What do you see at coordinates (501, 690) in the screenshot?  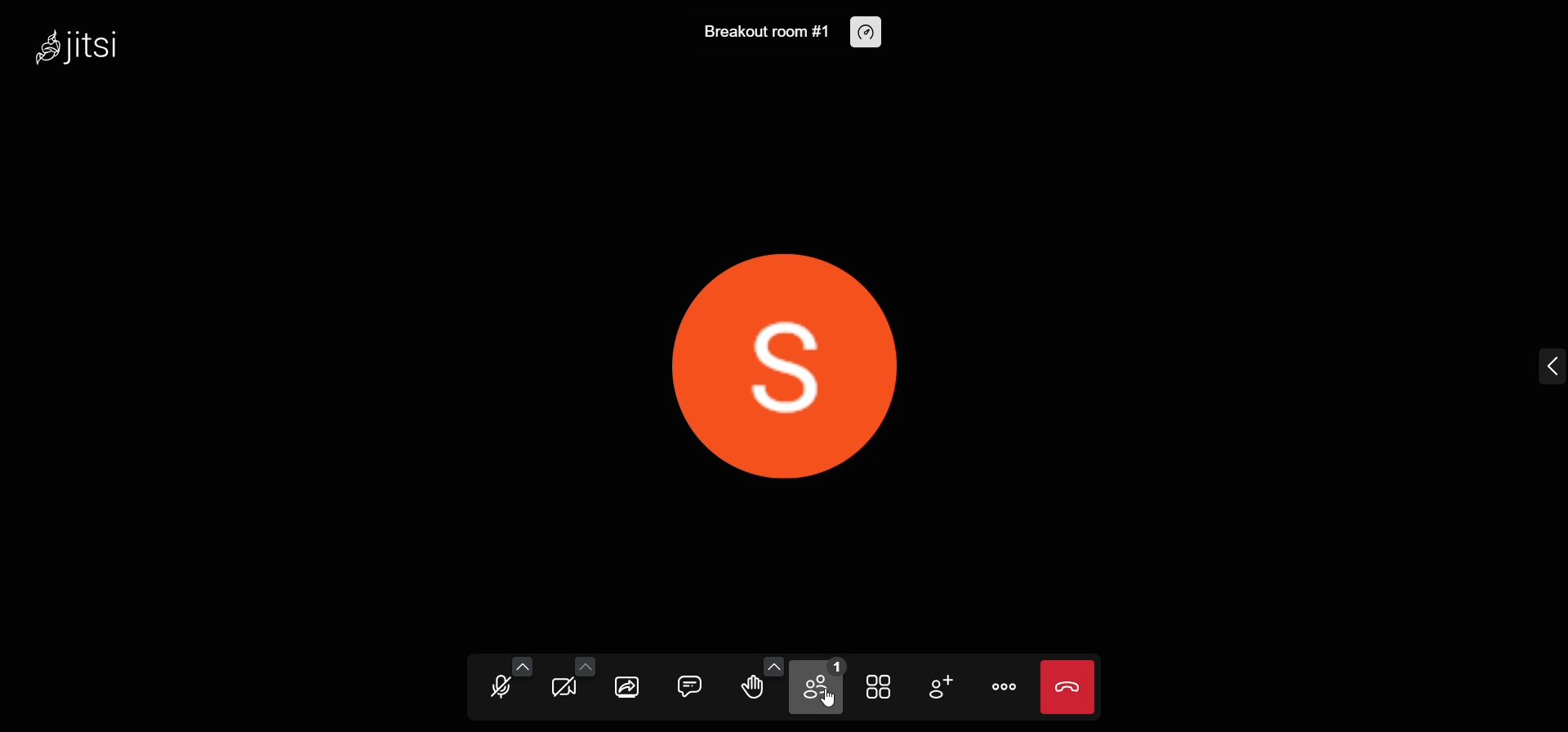 I see `microphone` at bounding box center [501, 690].